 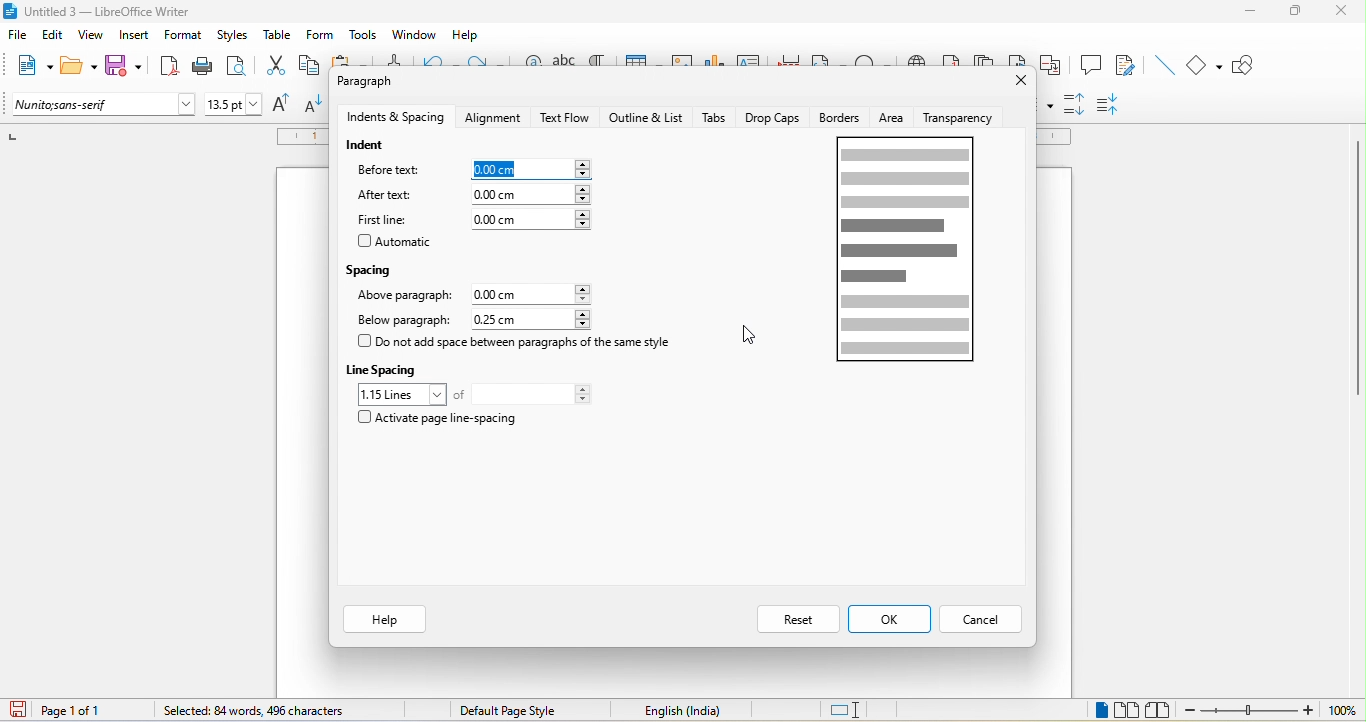 I want to click on view, so click(x=91, y=38).